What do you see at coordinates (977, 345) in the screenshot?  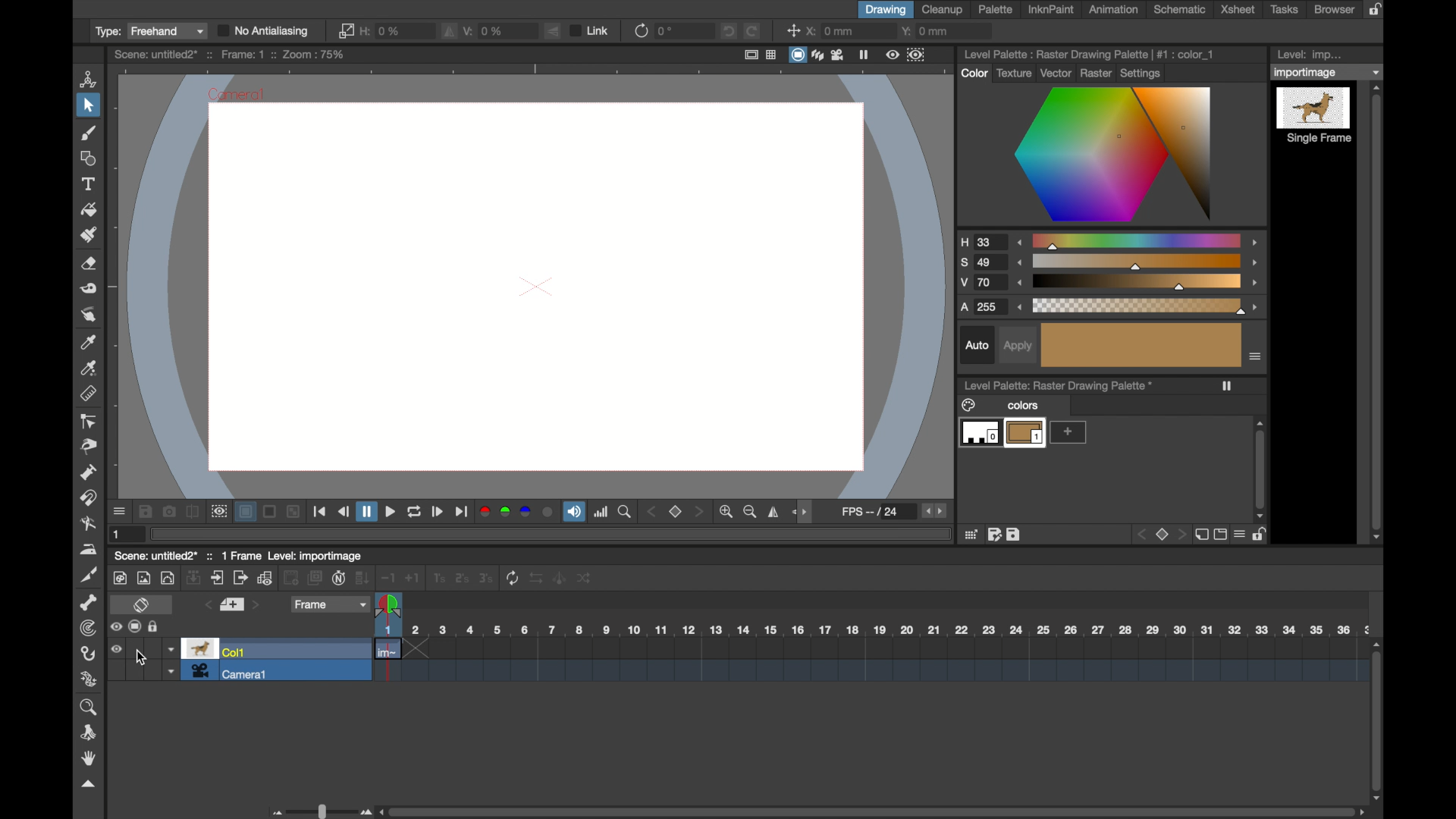 I see `auto` at bounding box center [977, 345].